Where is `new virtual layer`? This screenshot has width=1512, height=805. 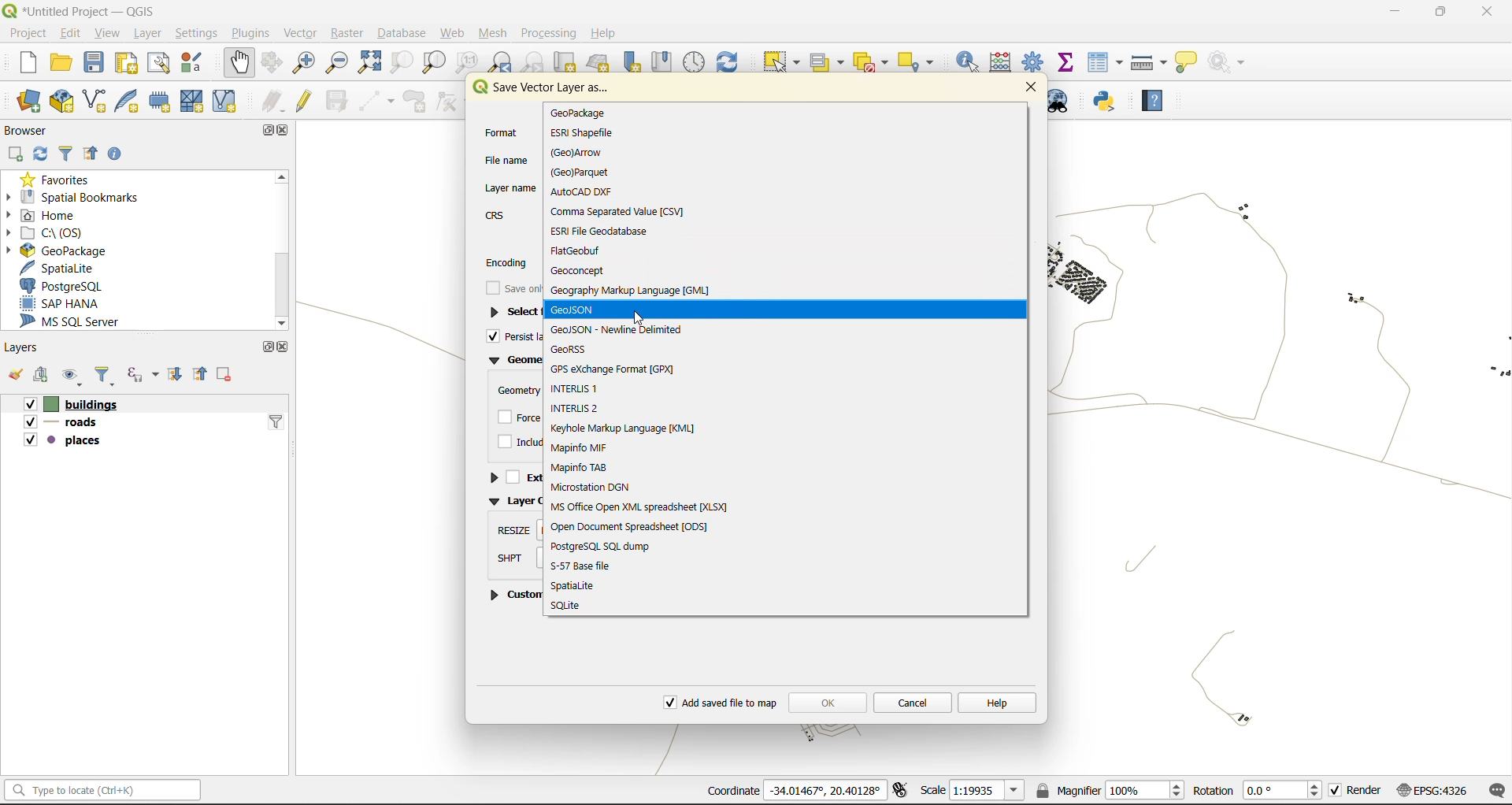 new virtual layer is located at coordinates (232, 101).